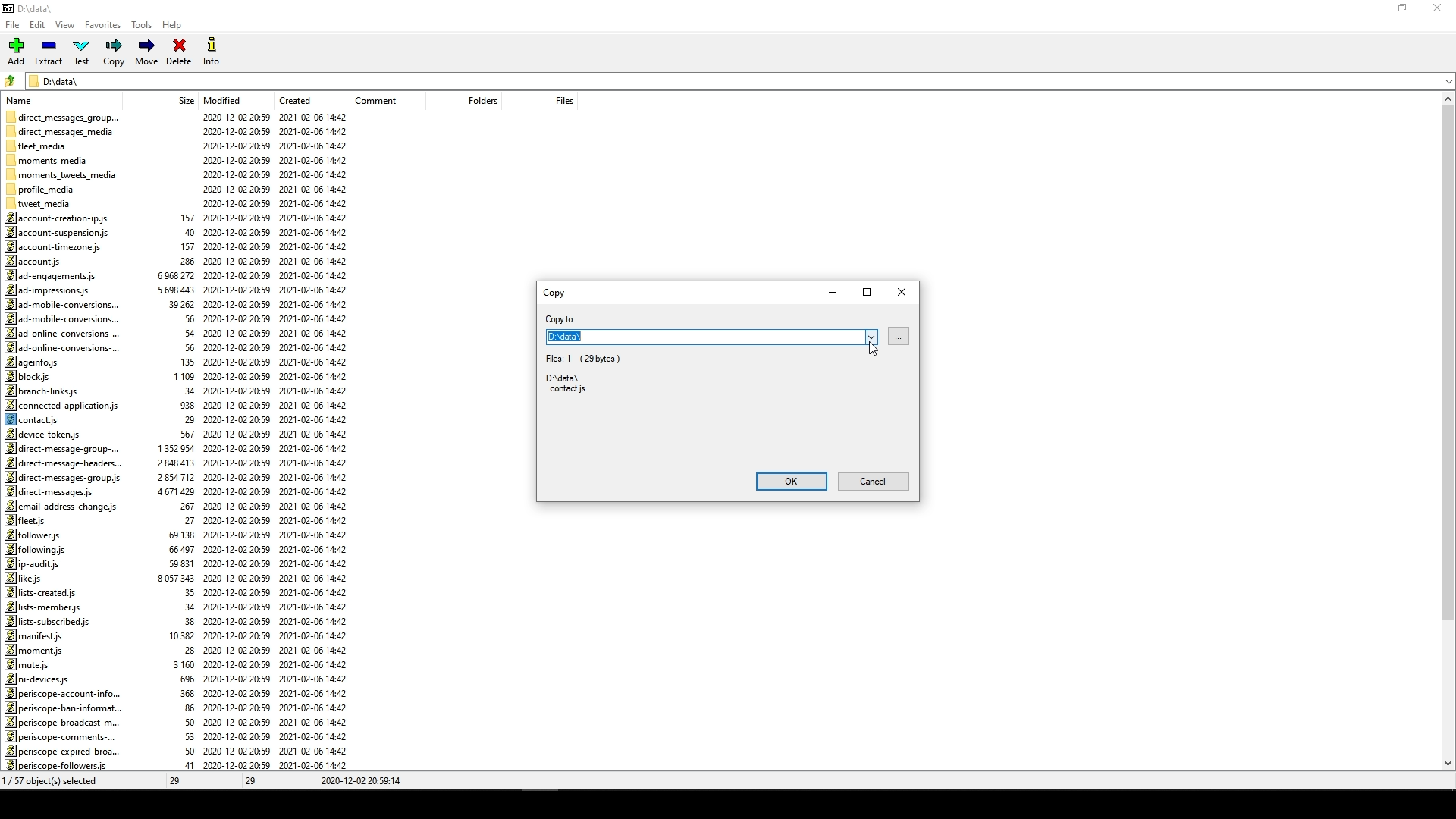 This screenshot has height=819, width=1456. I want to click on account-suspension.js, so click(58, 231).